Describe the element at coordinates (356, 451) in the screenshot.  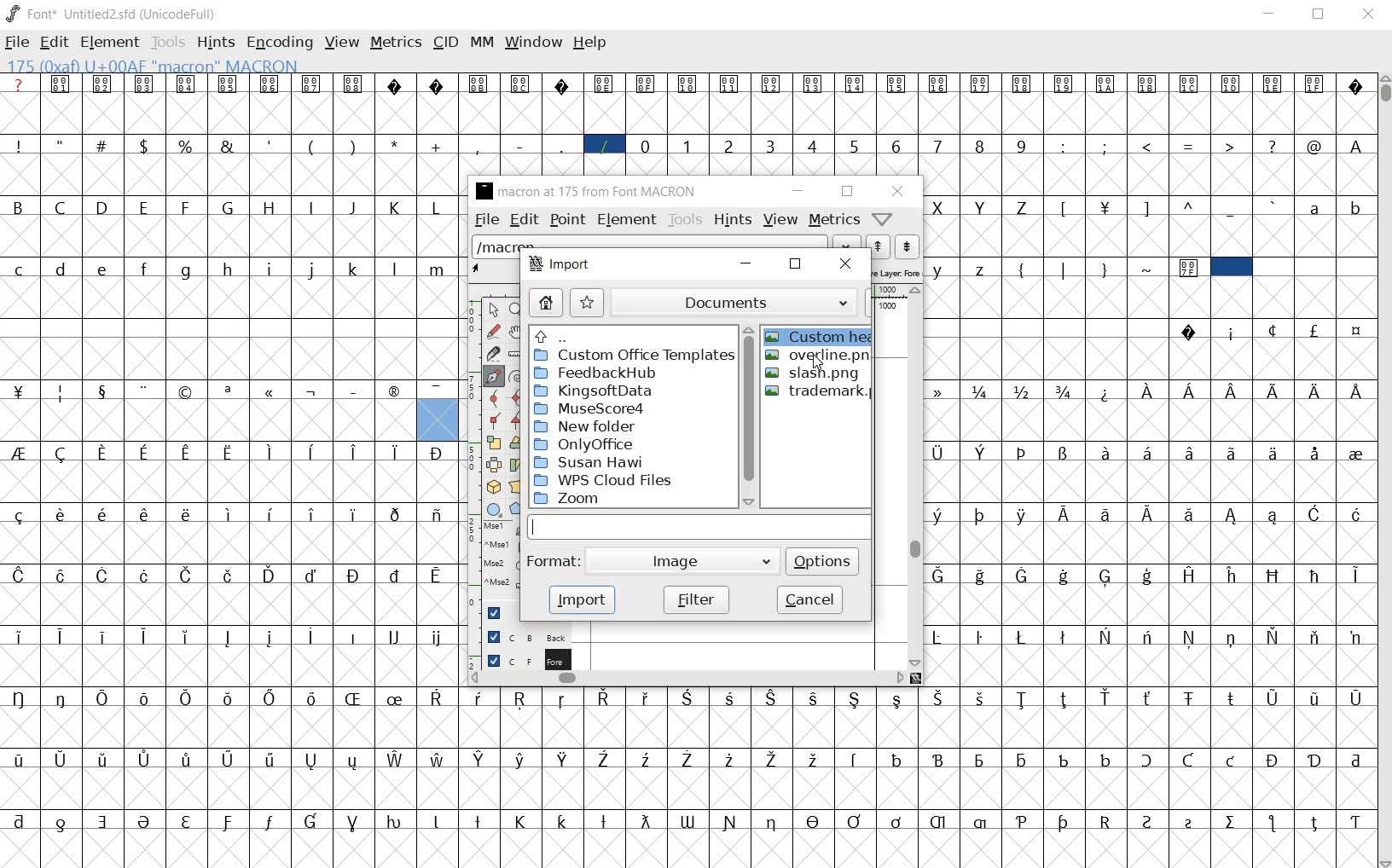
I see `Symbol` at that location.